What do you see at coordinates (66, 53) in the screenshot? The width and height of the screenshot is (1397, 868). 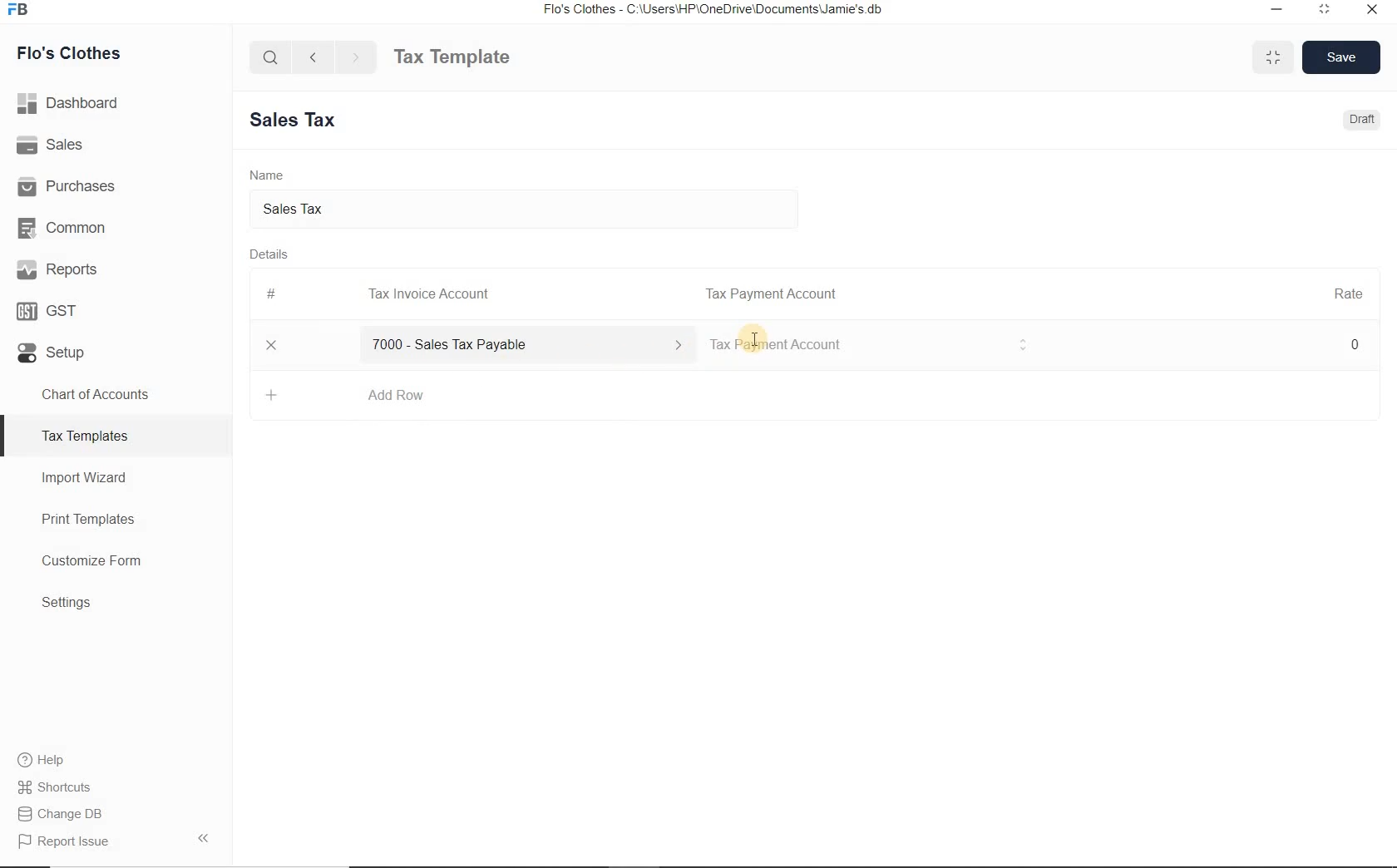 I see `Flo's Clothes` at bounding box center [66, 53].